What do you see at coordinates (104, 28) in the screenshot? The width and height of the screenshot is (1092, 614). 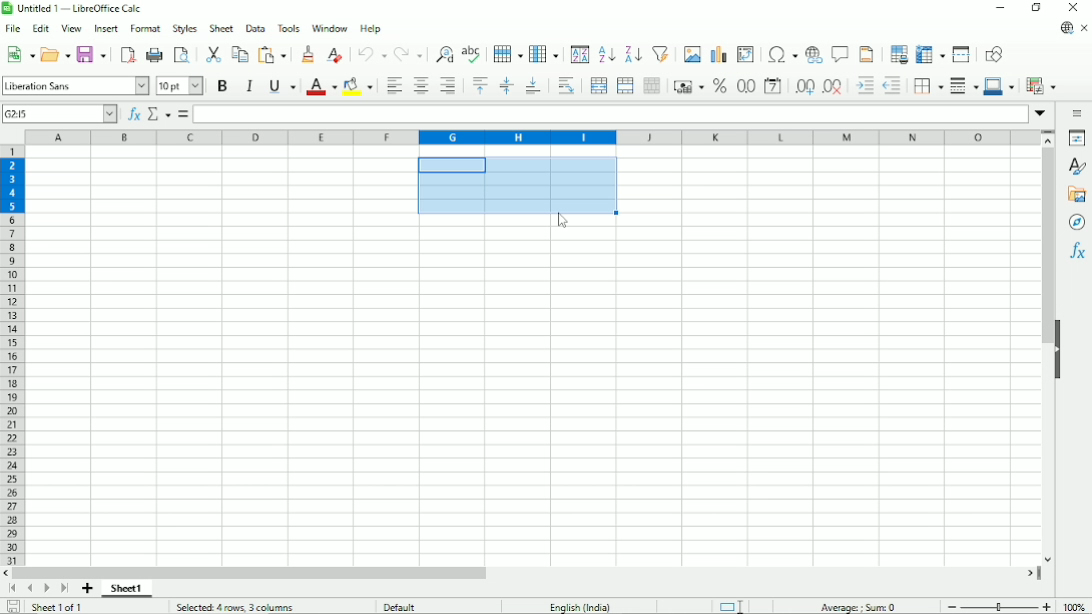 I see `Insert` at bounding box center [104, 28].